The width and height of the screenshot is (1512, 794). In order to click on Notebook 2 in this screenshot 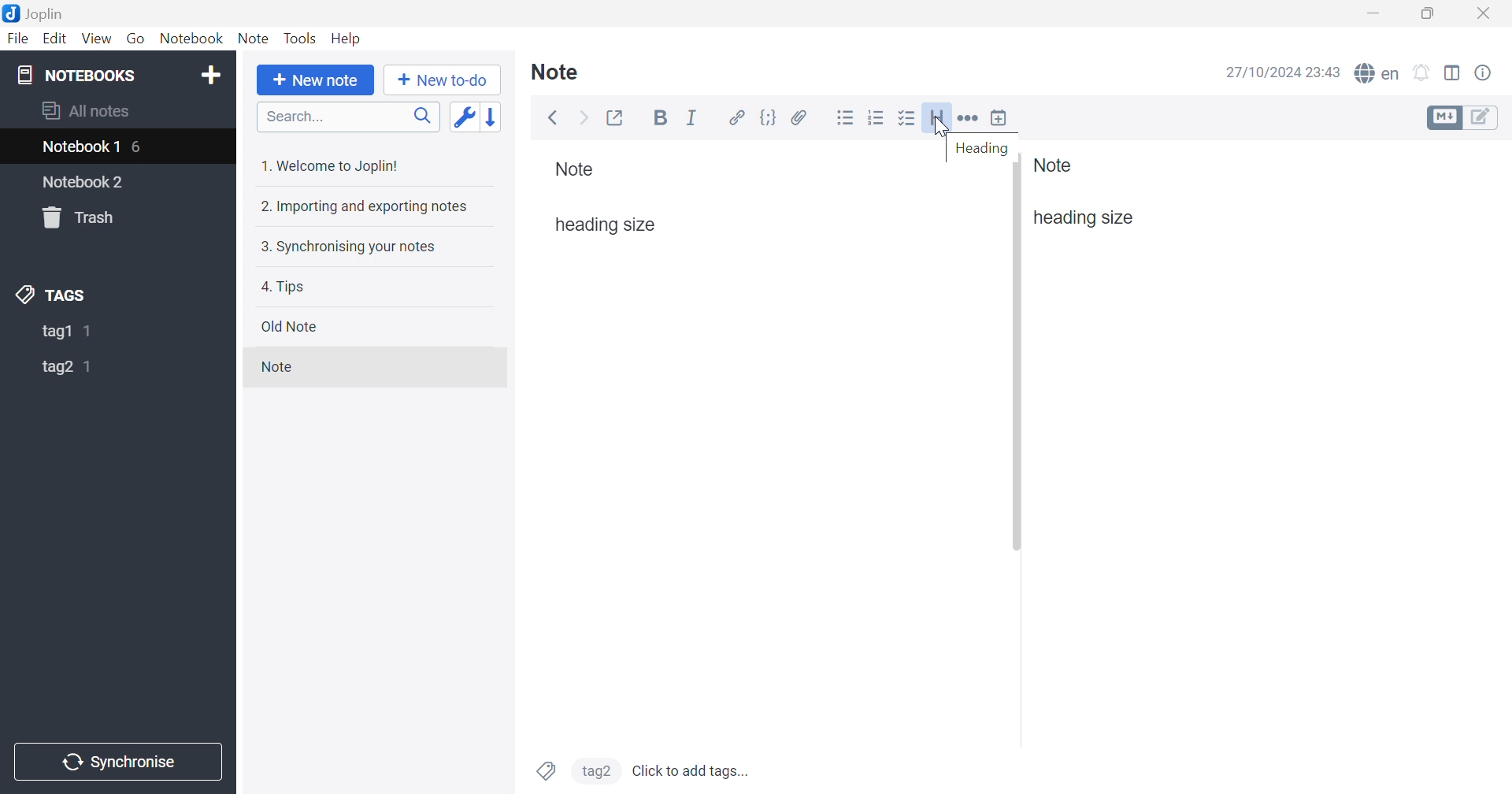, I will do `click(84, 183)`.